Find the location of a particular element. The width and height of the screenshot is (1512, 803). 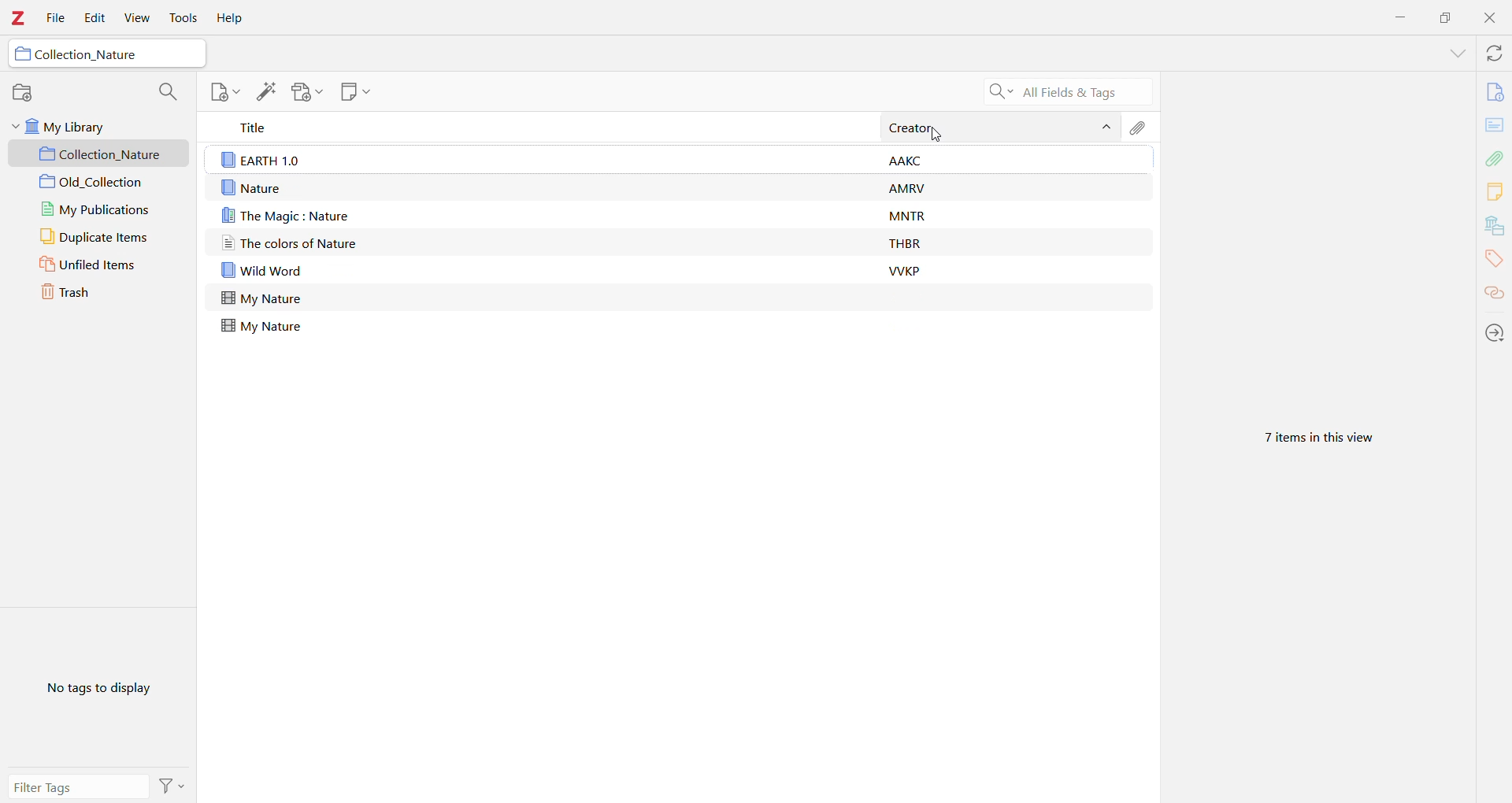

Abstract is located at coordinates (1494, 125).